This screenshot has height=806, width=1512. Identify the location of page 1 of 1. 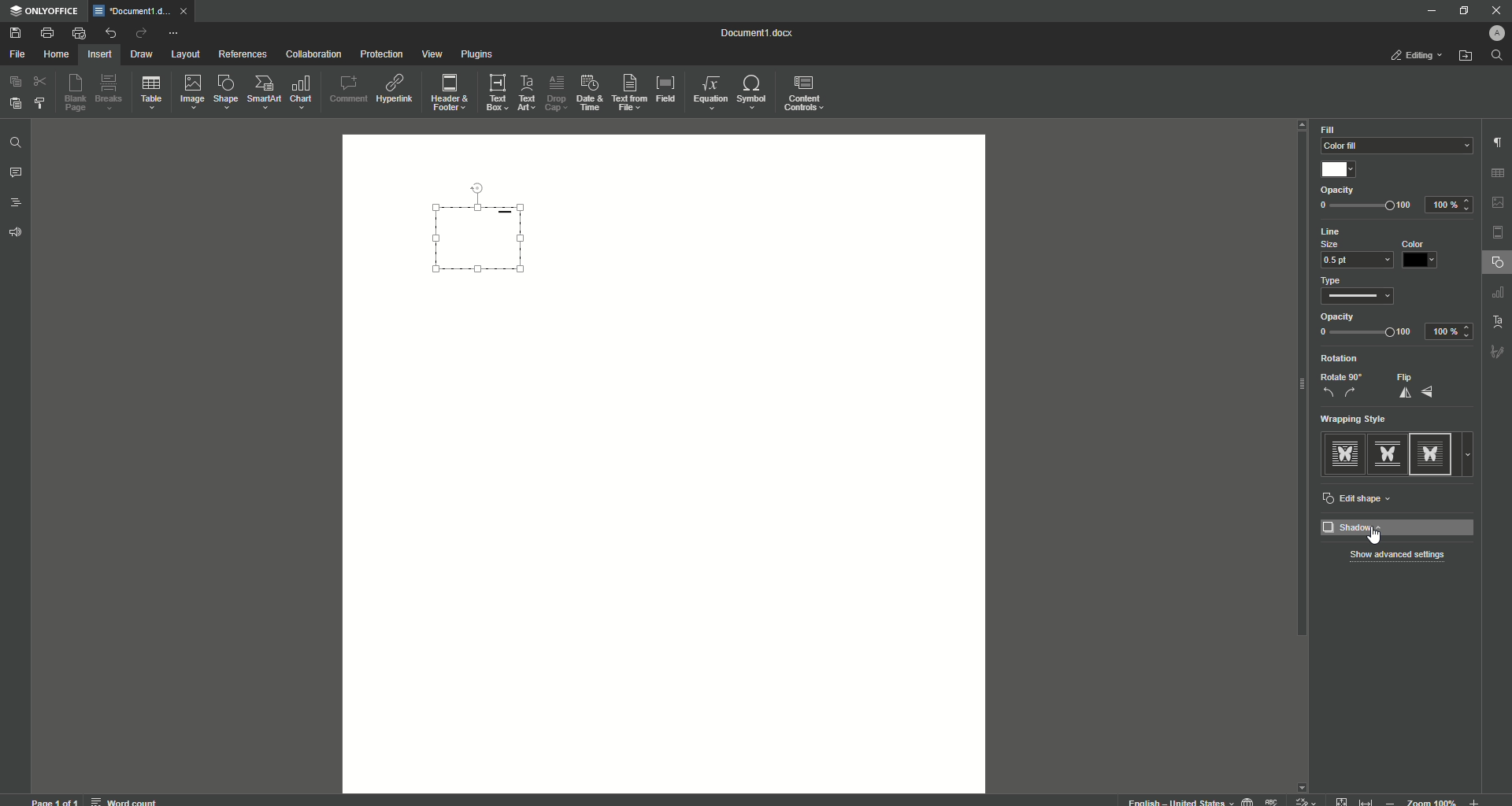
(55, 800).